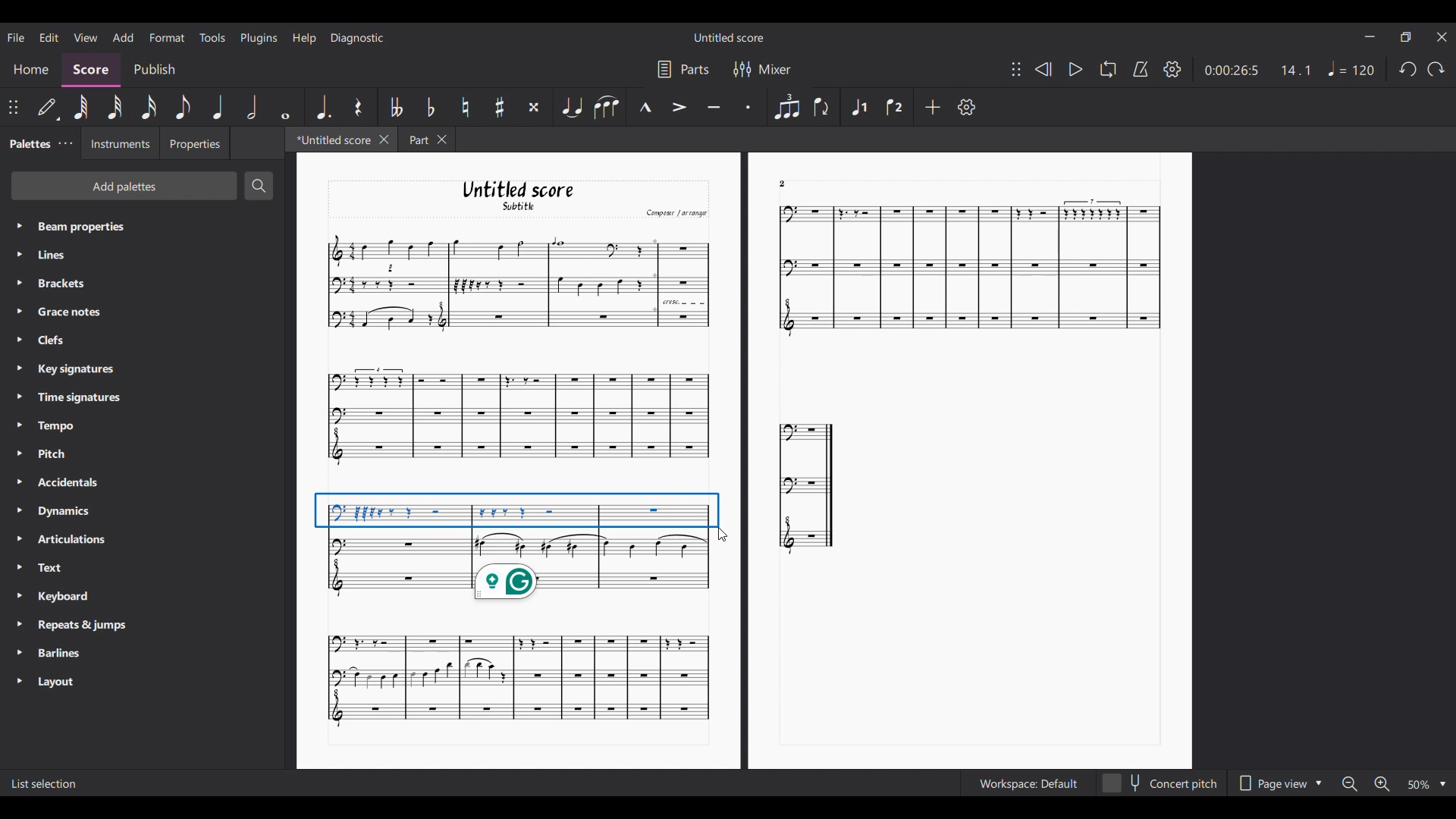  What do you see at coordinates (27, 142) in the screenshot?
I see `Palettes ` at bounding box center [27, 142].